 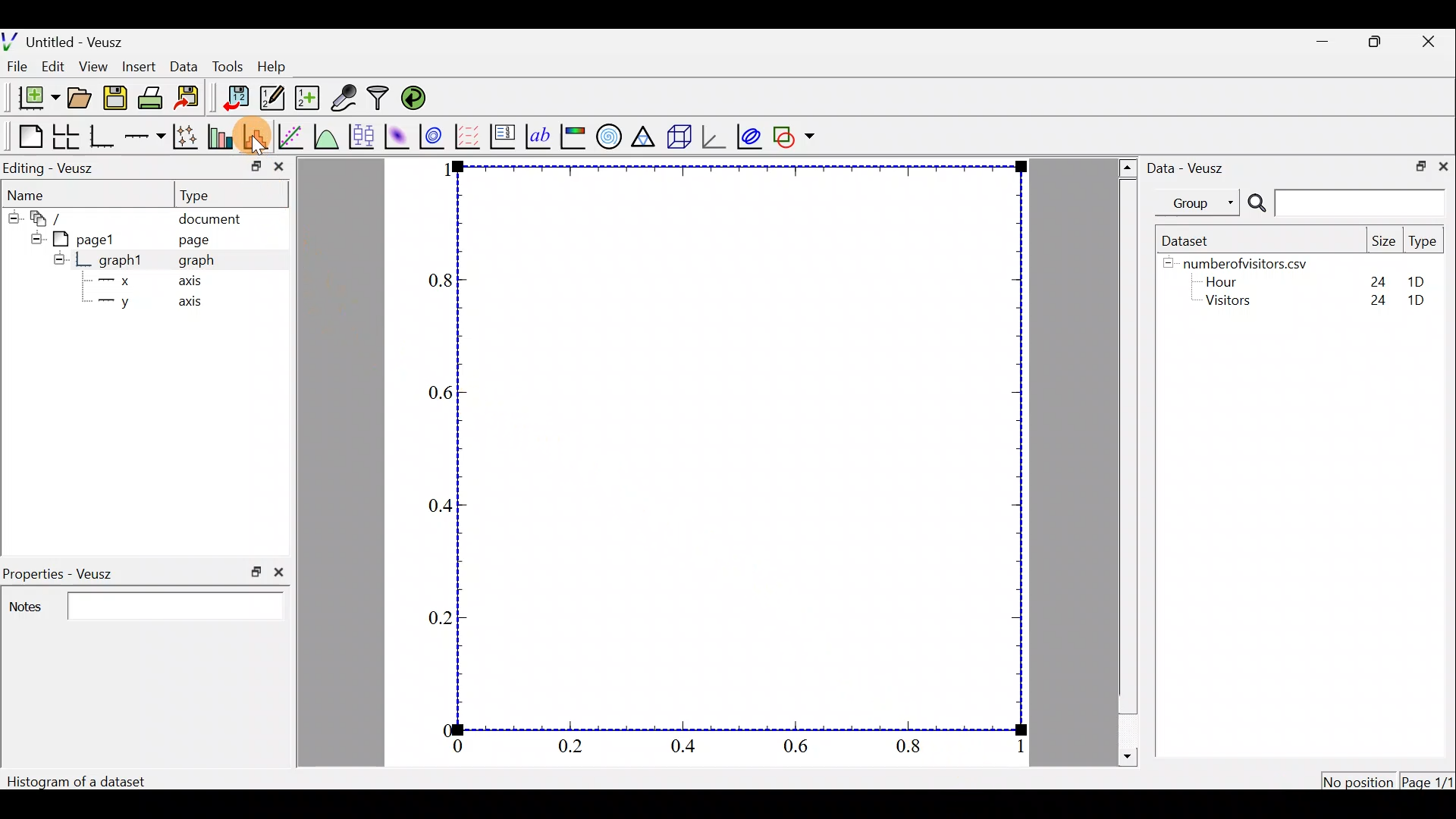 I want to click on Name, so click(x=30, y=192).